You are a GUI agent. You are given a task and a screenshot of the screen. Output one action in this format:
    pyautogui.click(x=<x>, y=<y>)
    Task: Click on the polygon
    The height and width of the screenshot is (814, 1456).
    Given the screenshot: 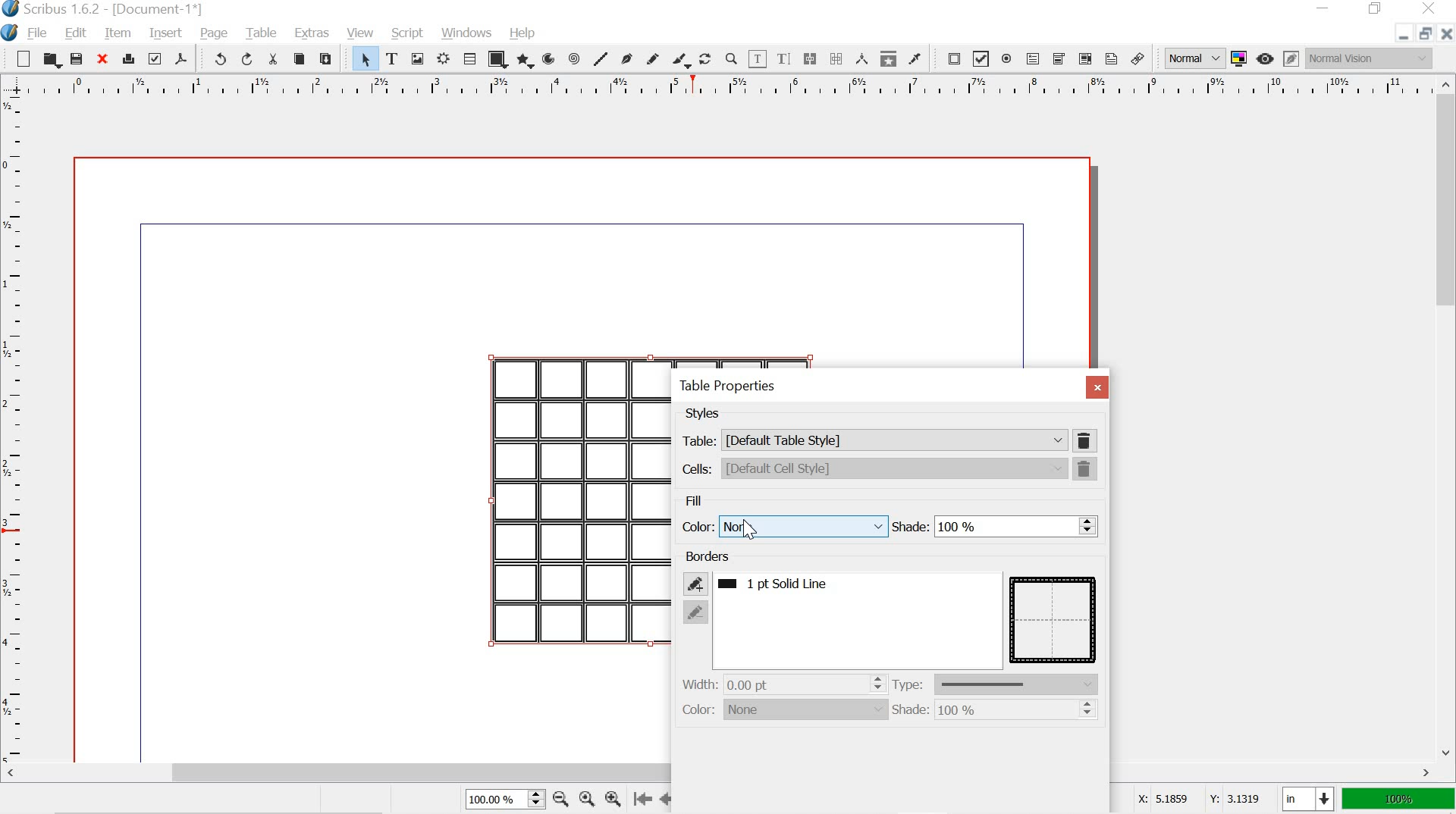 What is the action you would take?
    pyautogui.click(x=524, y=58)
    